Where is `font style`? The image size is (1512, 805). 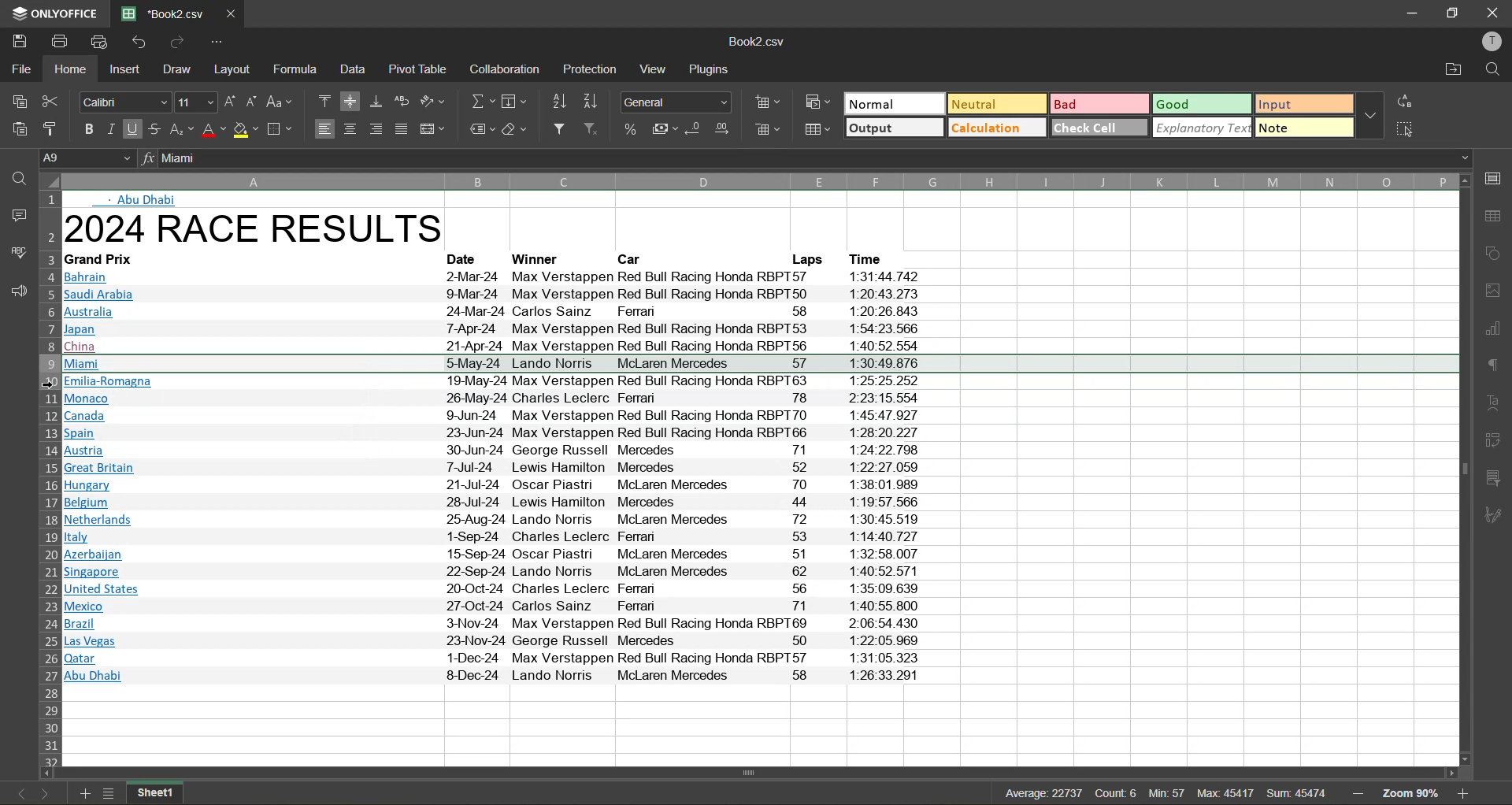 font style is located at coordinates (126, 102).